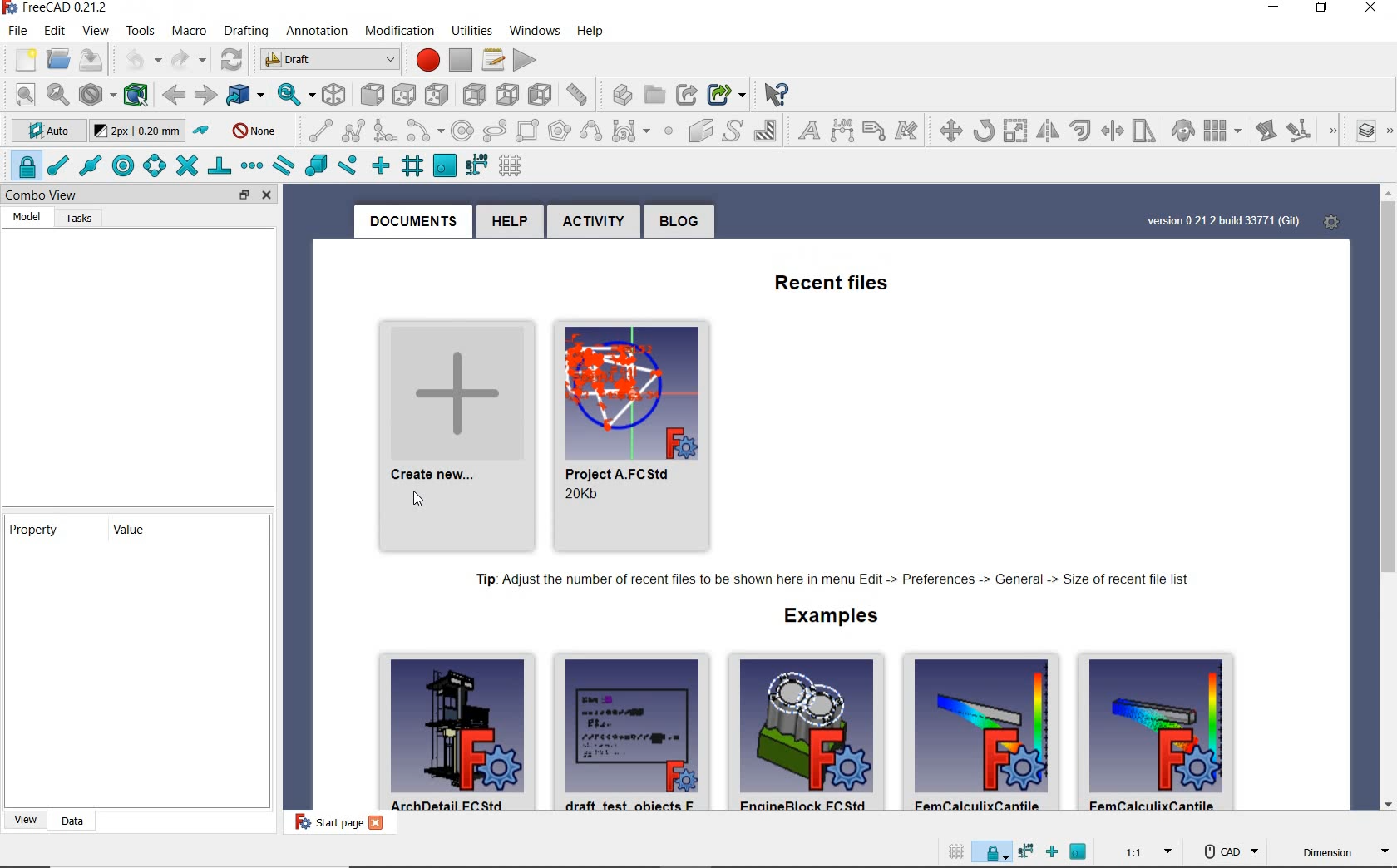 Image resolution: width=1397 pixels, height=868 pixels. What do you see at coordinates (1111, 131) in the screenshot?
I see `trimex` at bounding box center [1111, 131].